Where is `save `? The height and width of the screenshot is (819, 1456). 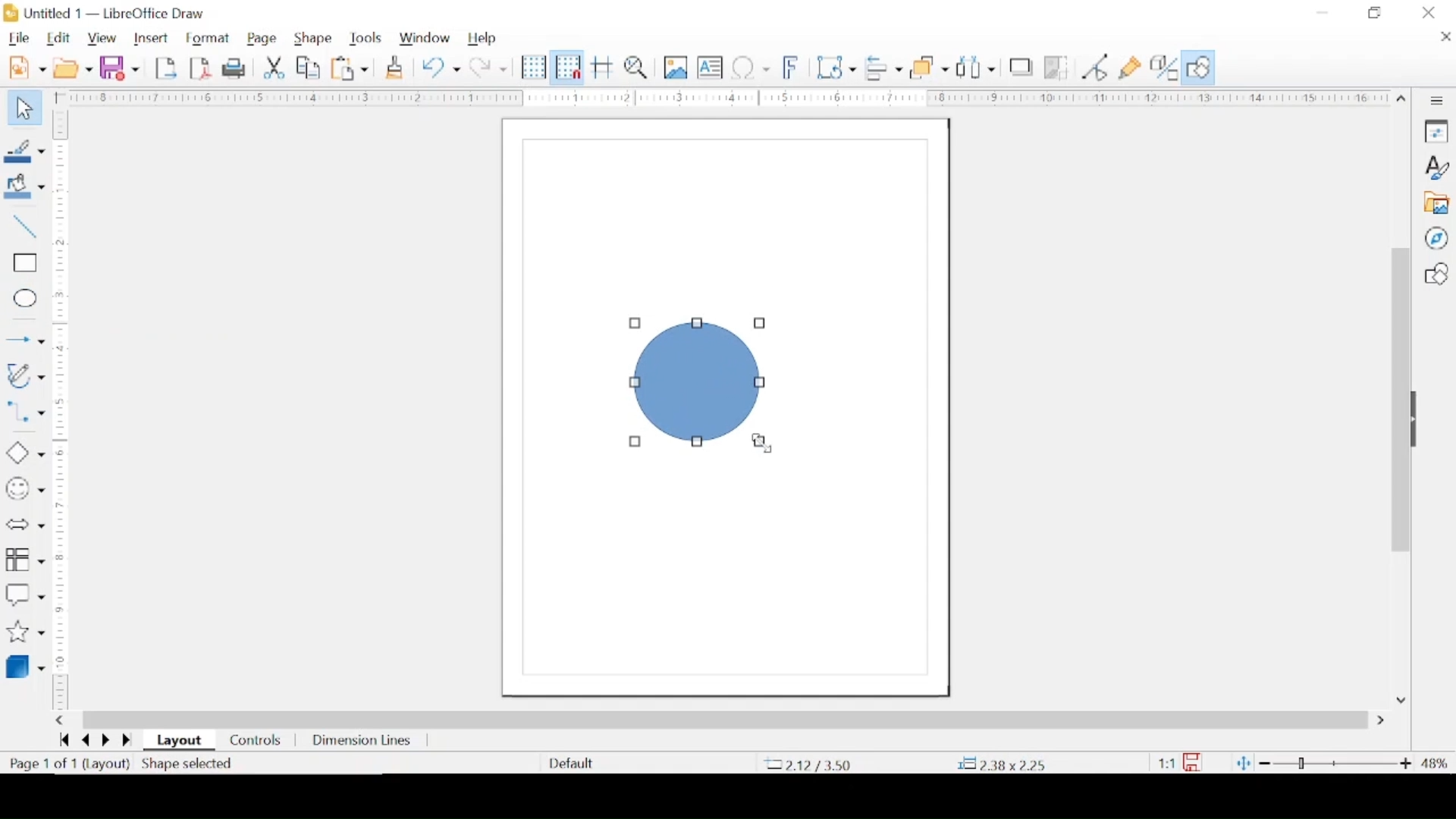
save  is located at coordinates (120, 67).